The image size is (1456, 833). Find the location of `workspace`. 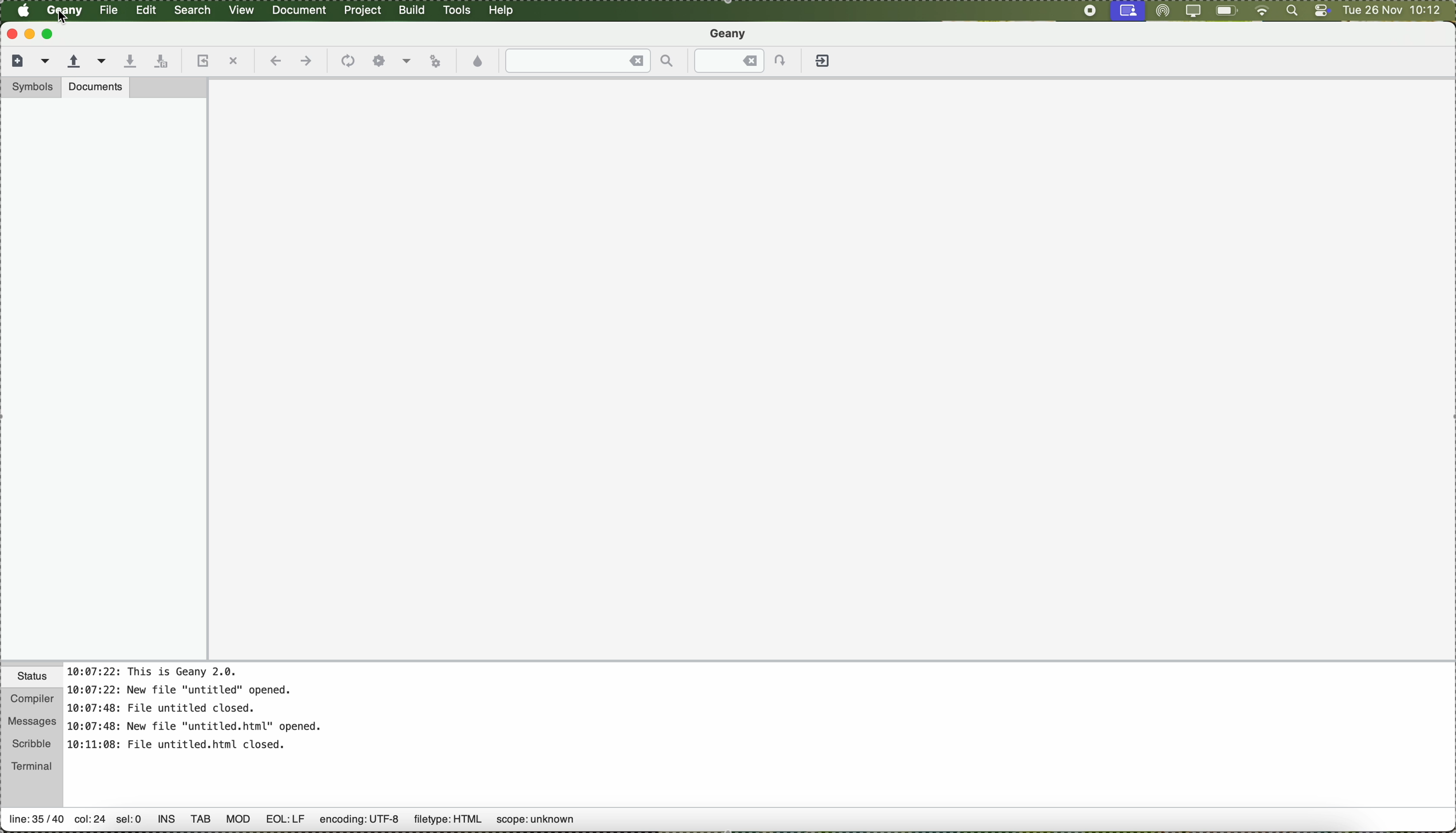

workspace is located at coordinates (834, 371).